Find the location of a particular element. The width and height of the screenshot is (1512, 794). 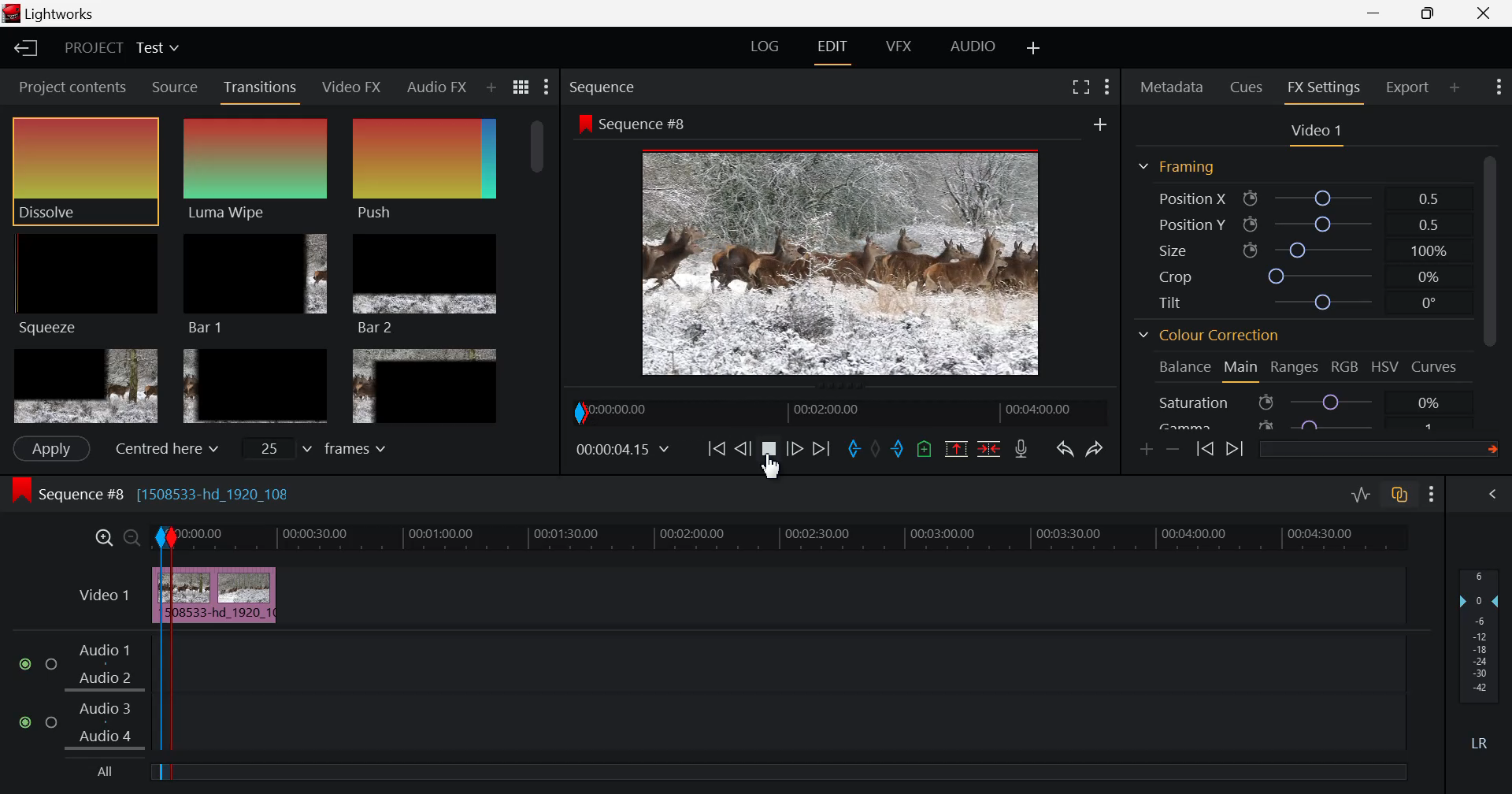

To End is located at coordinates (819, 452).